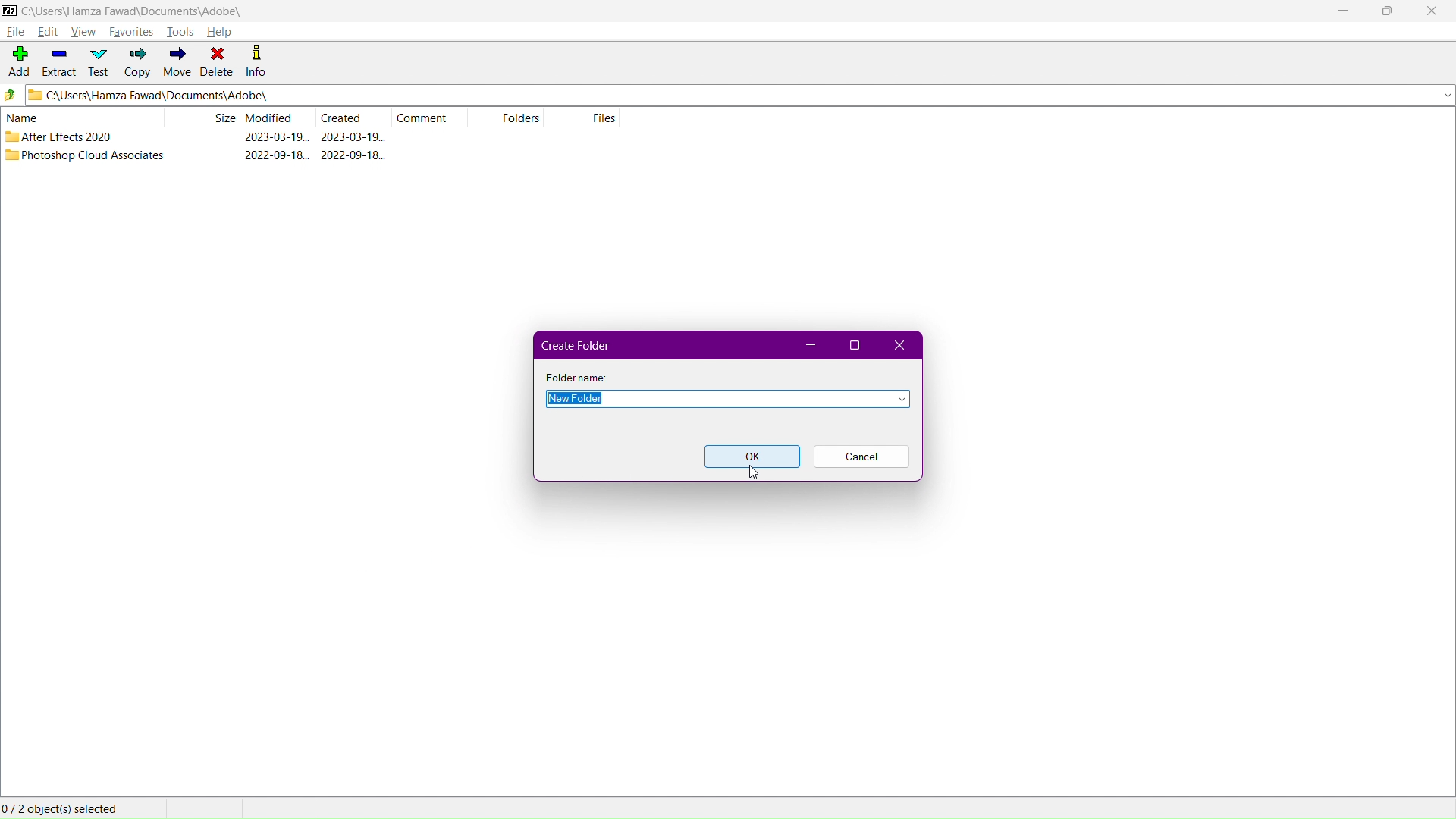 The width and height of the screenshot is (1456, 819). Describe the element at coordinates (175, 63) in the screenshot. I see `Move` at that location.